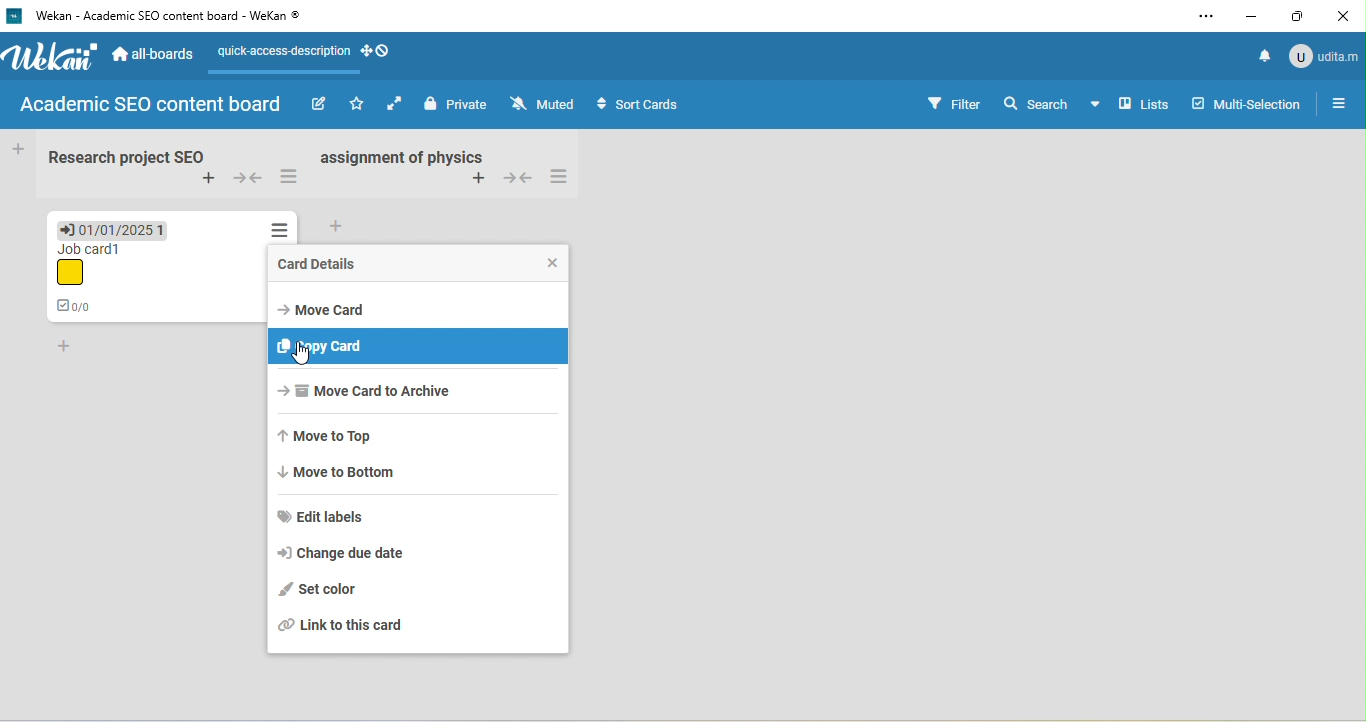 The height and width of the screenshot is (722, 1366). What do you see at coordinates (1206, 18) in the screenshot?
I see `settings and more` at bounding box center [1206, 18].